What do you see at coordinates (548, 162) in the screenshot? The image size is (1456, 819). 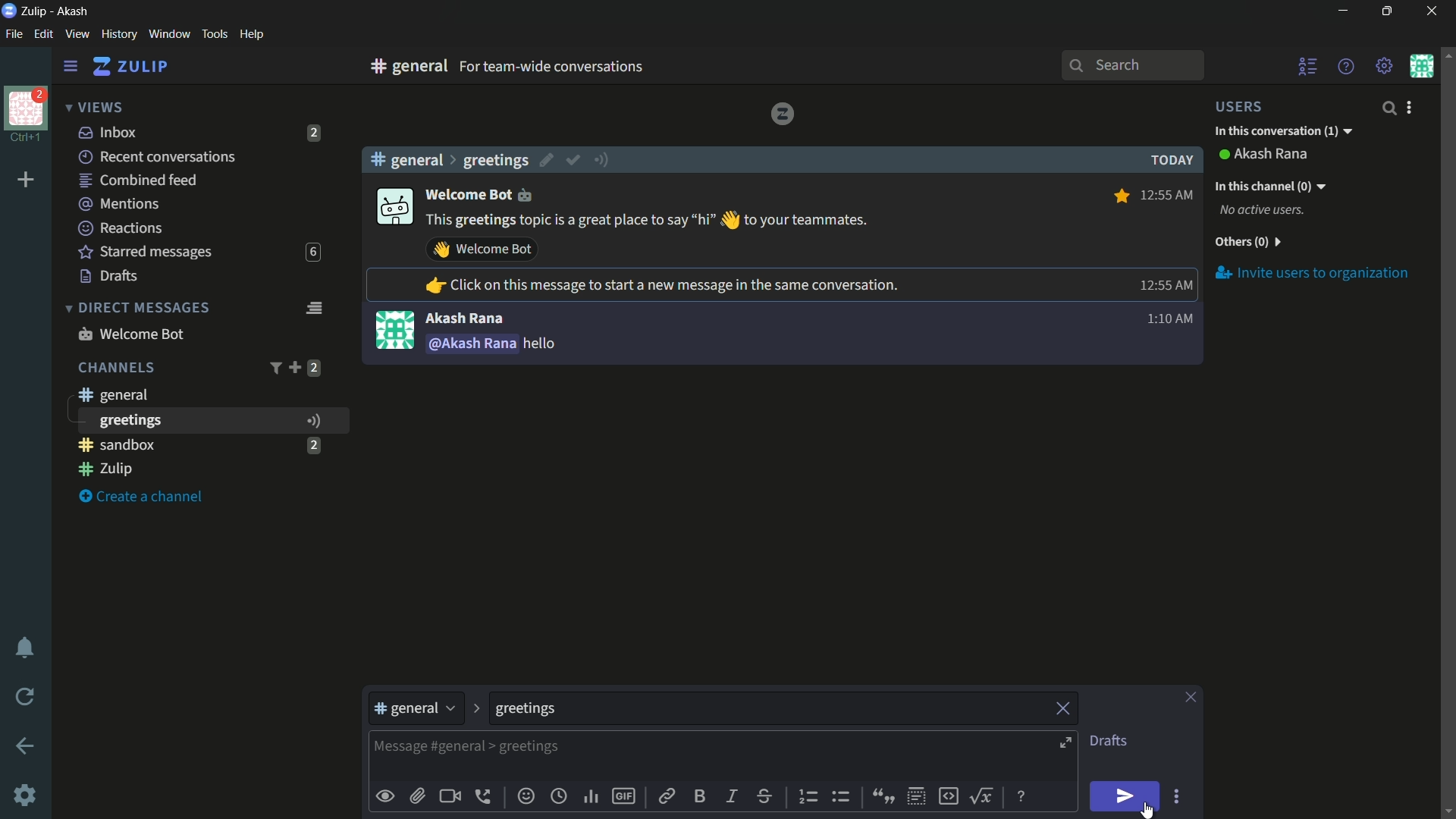 I see `edit topic` at bounding box center [548, 162].